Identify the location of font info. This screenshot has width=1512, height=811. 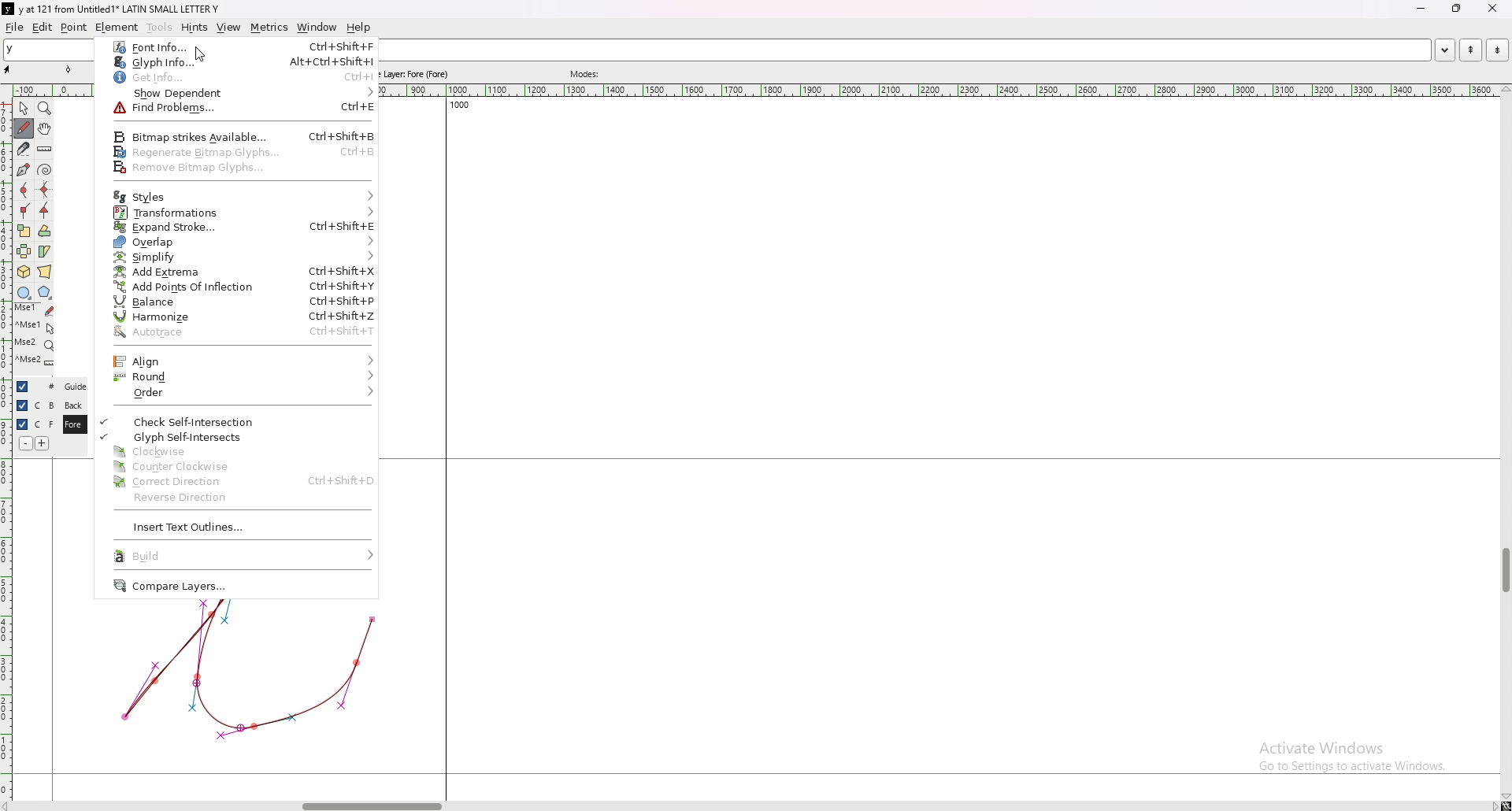
(239, 46).